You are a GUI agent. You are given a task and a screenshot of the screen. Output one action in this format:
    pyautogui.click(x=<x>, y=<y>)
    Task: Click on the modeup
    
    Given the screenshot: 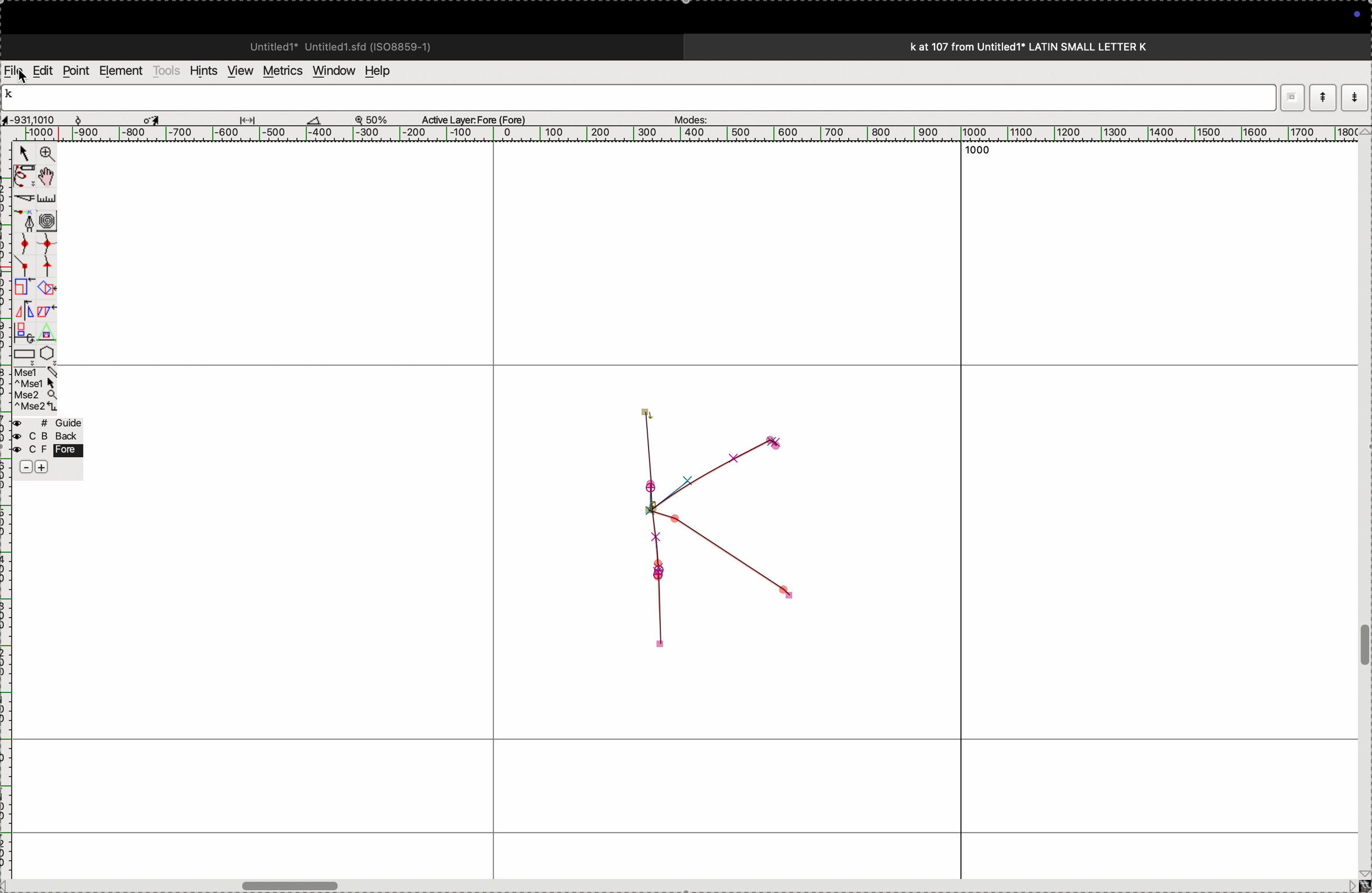 What is the action you would take?
    pyautogui.click(x=1322, y=97)
    